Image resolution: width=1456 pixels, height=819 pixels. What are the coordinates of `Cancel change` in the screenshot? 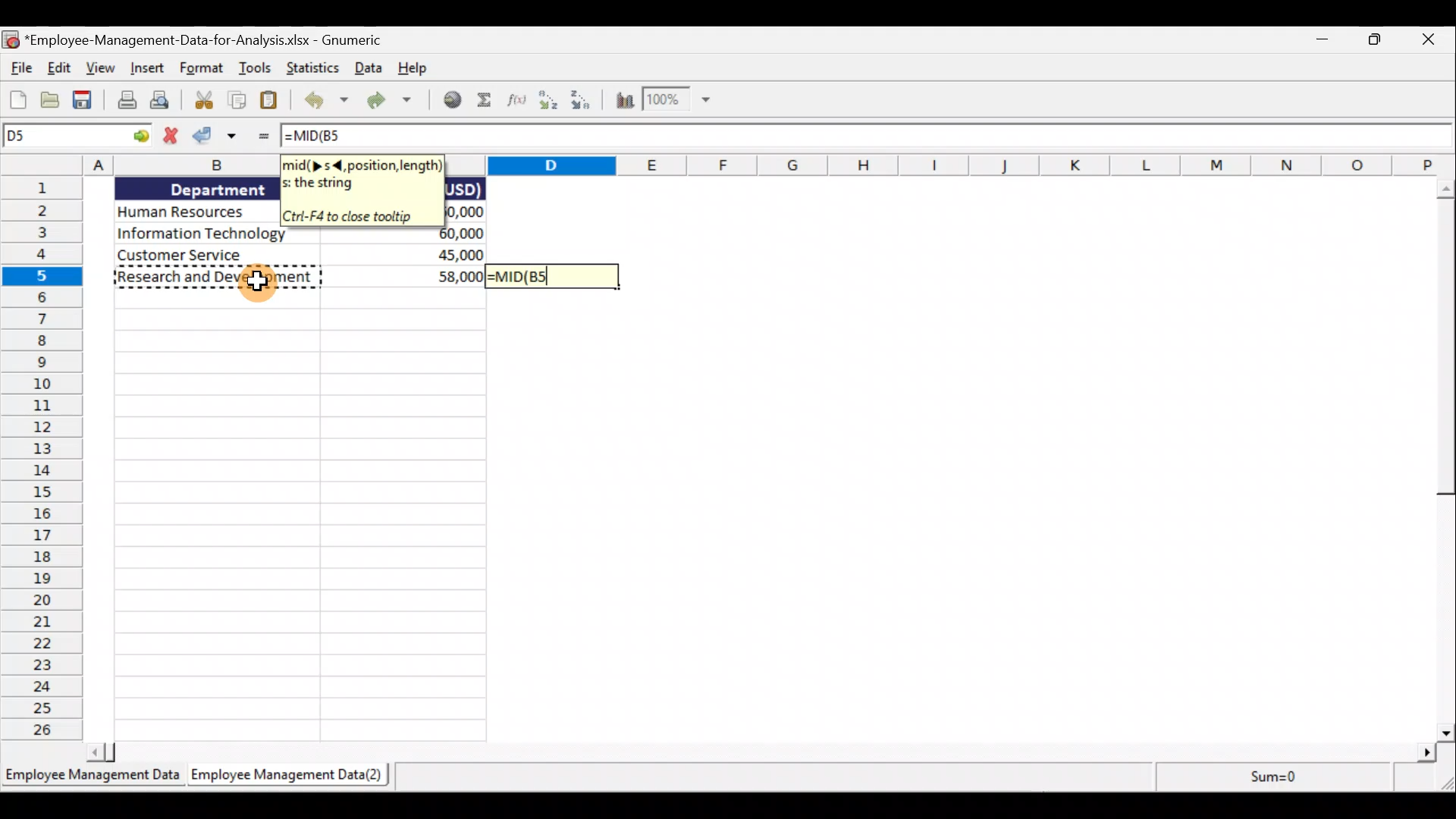 It's located at (168, 137).